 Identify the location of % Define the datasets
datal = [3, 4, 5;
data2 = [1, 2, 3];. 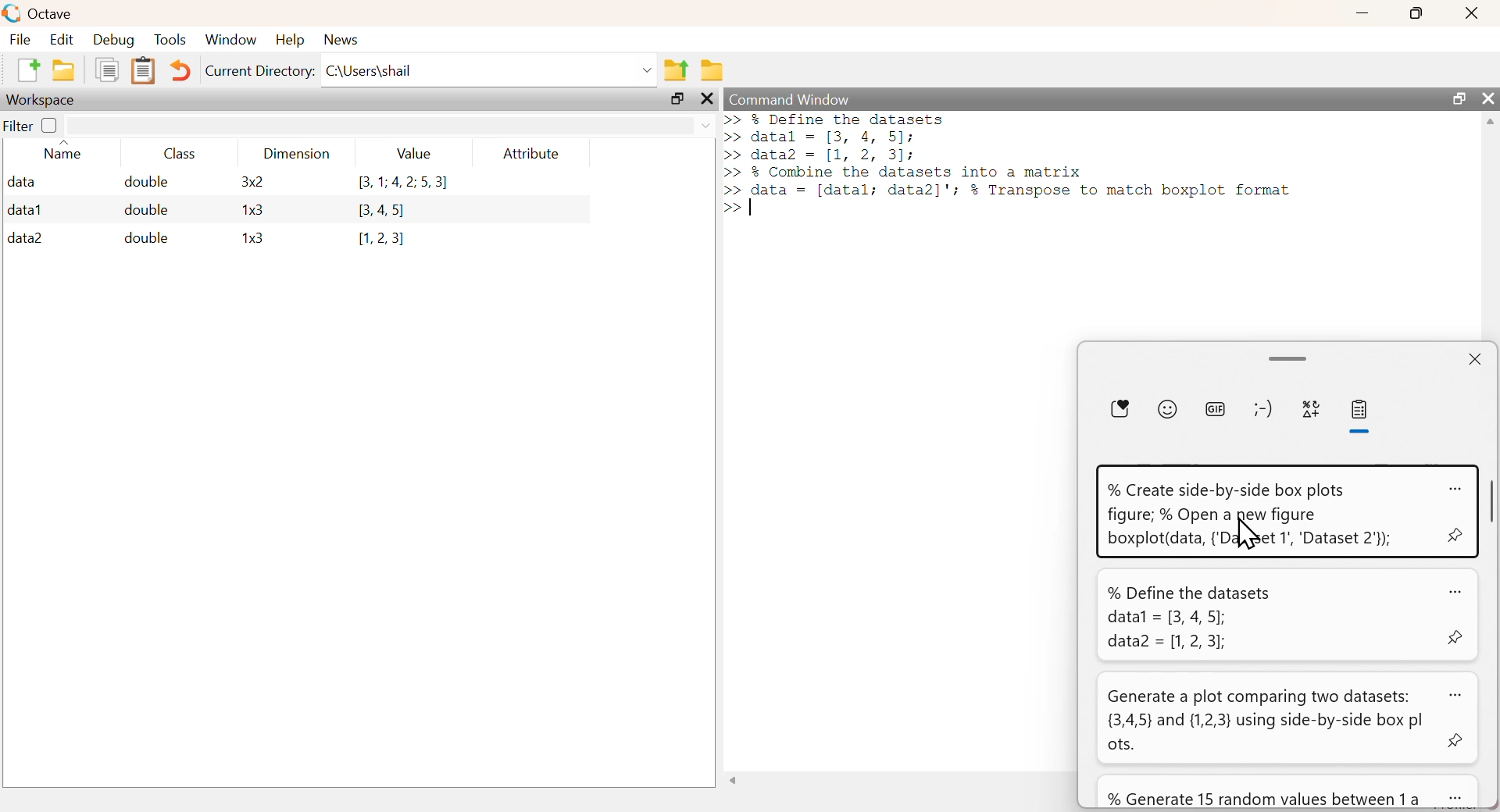
(1192, 618).